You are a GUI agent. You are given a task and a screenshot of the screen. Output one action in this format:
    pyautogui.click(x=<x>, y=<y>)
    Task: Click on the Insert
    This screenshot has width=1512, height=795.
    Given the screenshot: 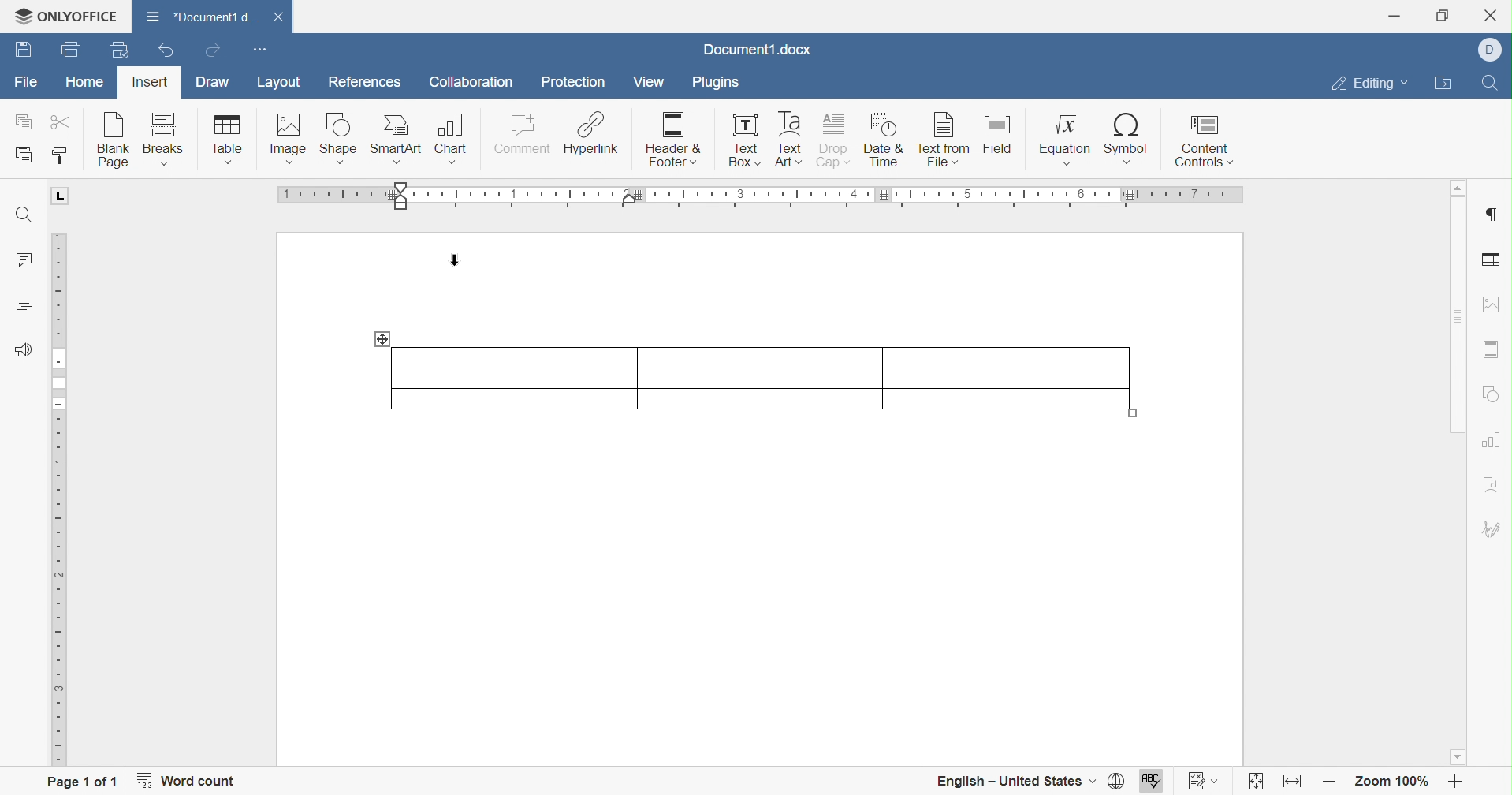 What is the action you would take?
    pyautogui.click(x=151, y=82)
    